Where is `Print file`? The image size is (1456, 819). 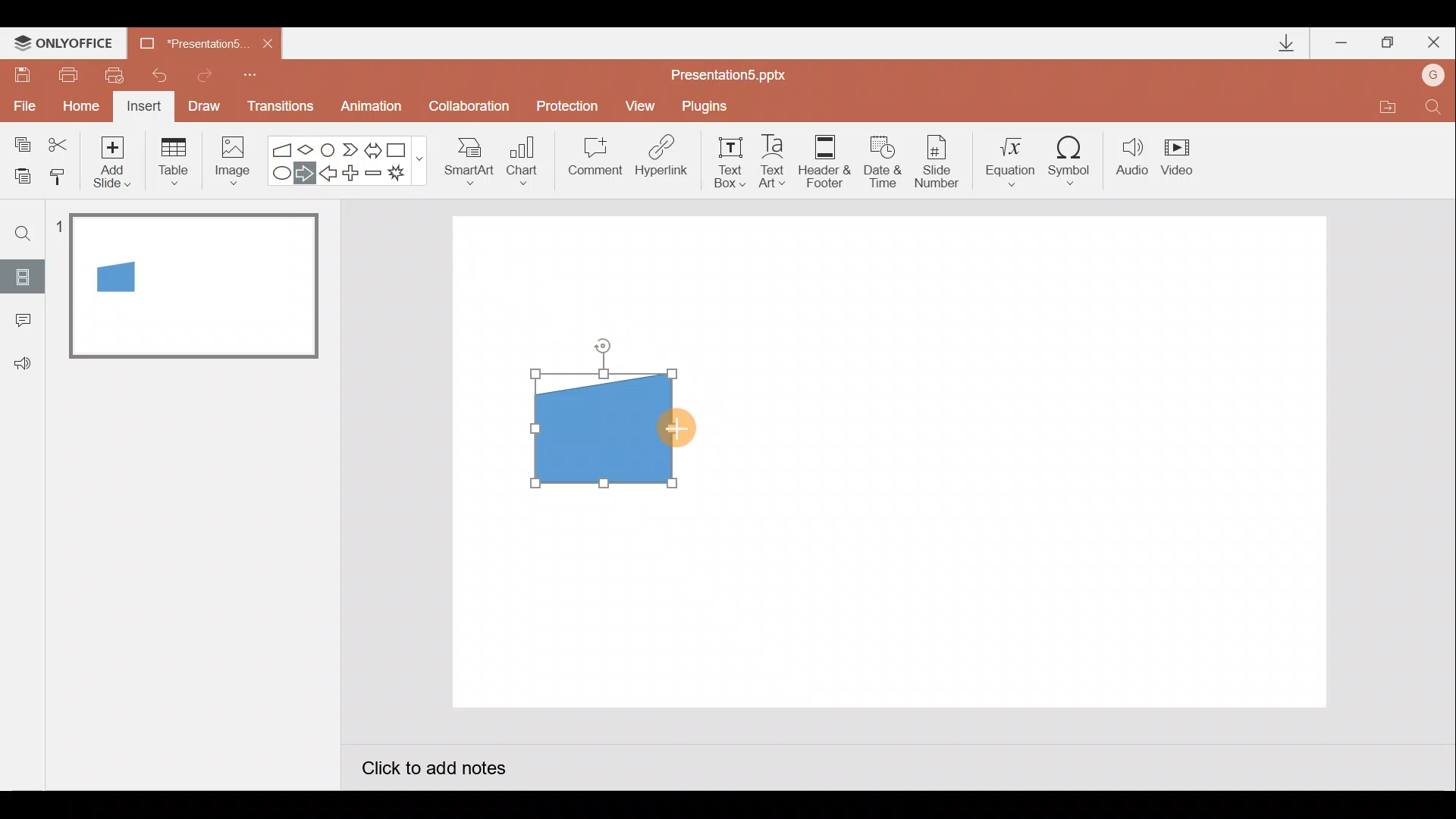 Print file is located at coordinates (65, 74).